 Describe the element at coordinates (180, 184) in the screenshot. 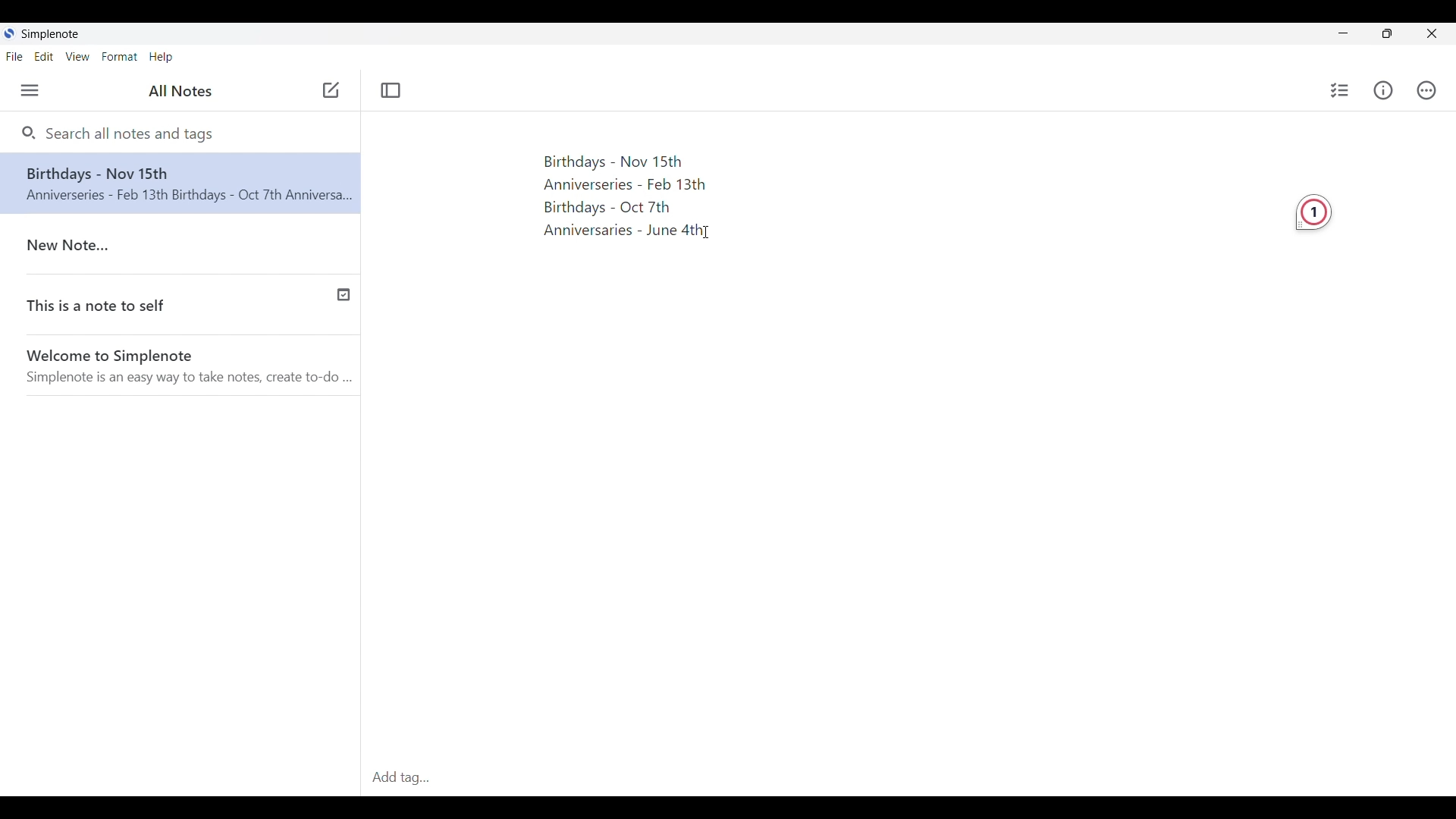

I see `Note text changed` at that location.